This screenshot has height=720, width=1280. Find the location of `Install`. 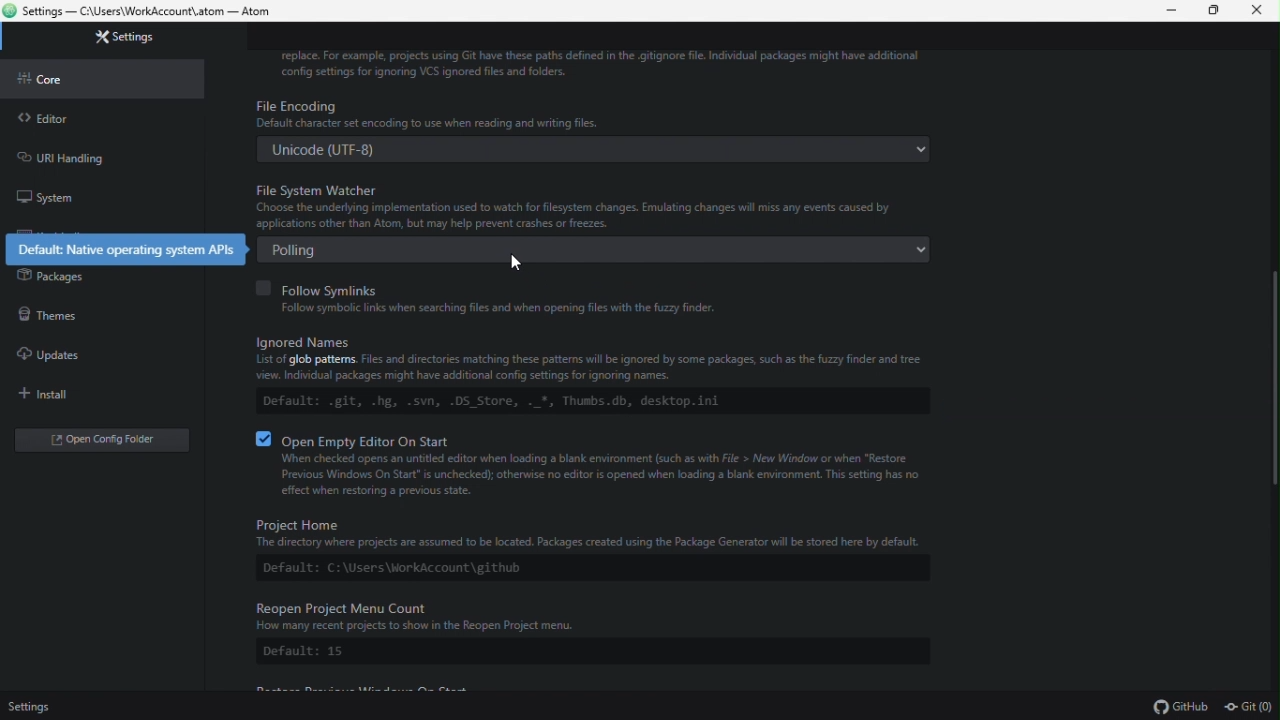

Install is located at coordinates (94, 394).